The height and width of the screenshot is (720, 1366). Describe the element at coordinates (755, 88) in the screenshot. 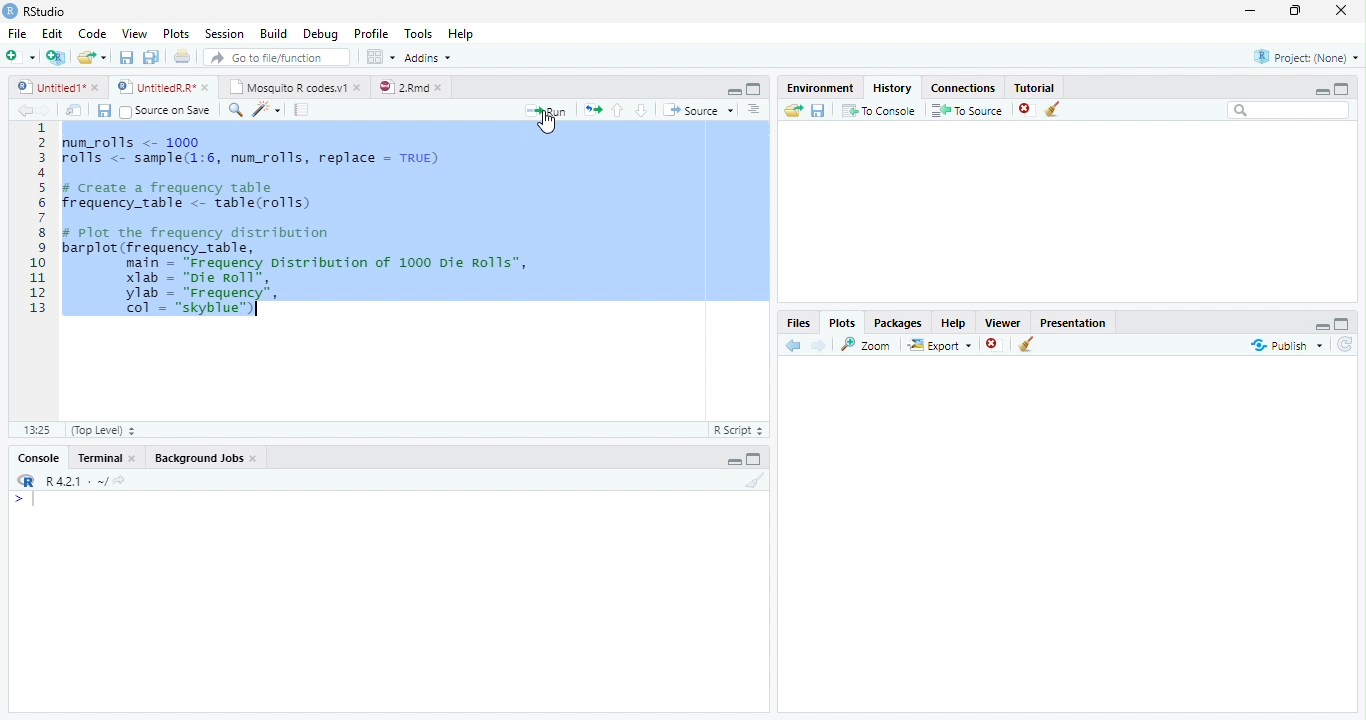

I see `Full Screen` at that location.